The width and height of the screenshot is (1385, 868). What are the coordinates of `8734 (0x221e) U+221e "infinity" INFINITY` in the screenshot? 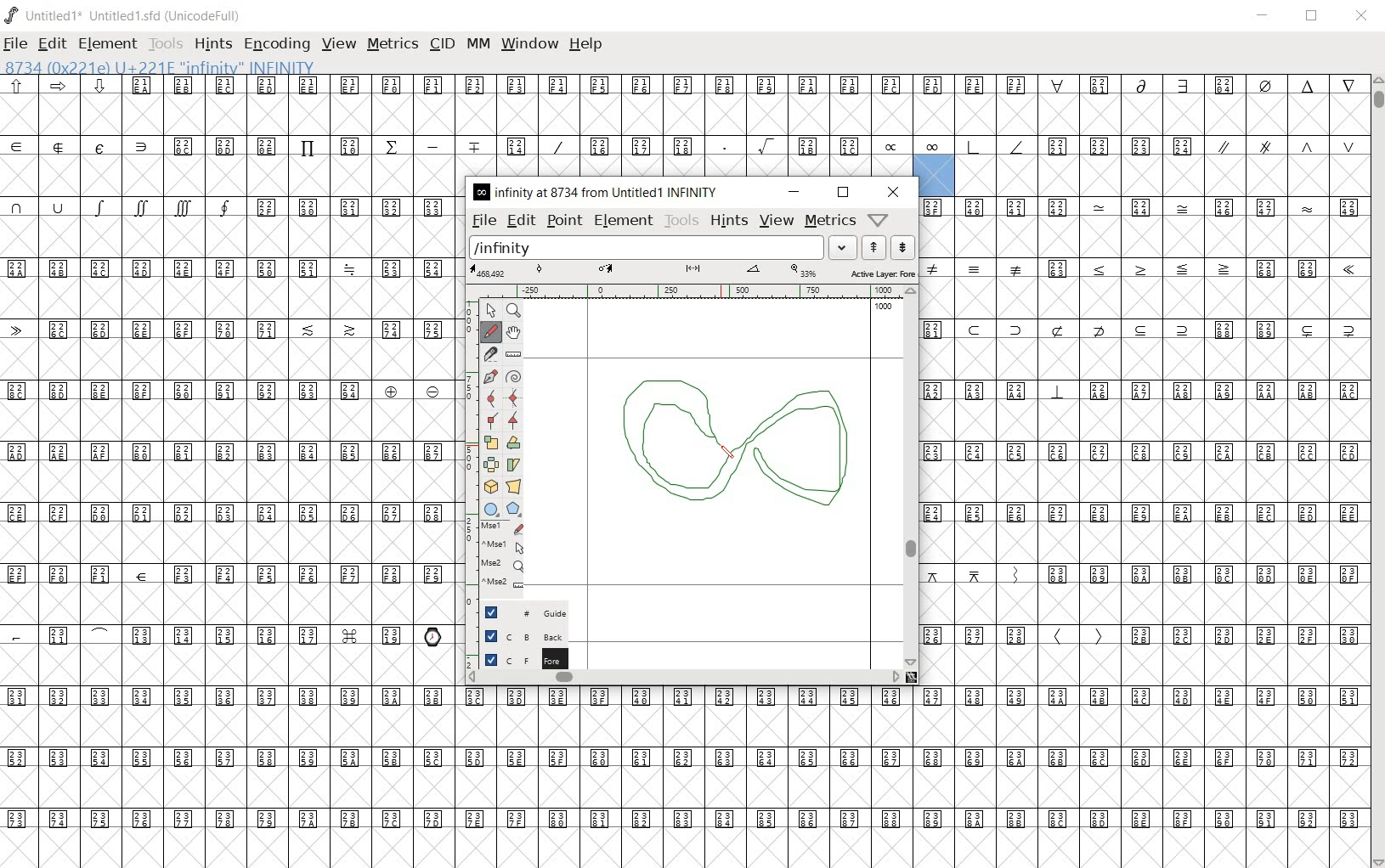 It's located at (161, 66).